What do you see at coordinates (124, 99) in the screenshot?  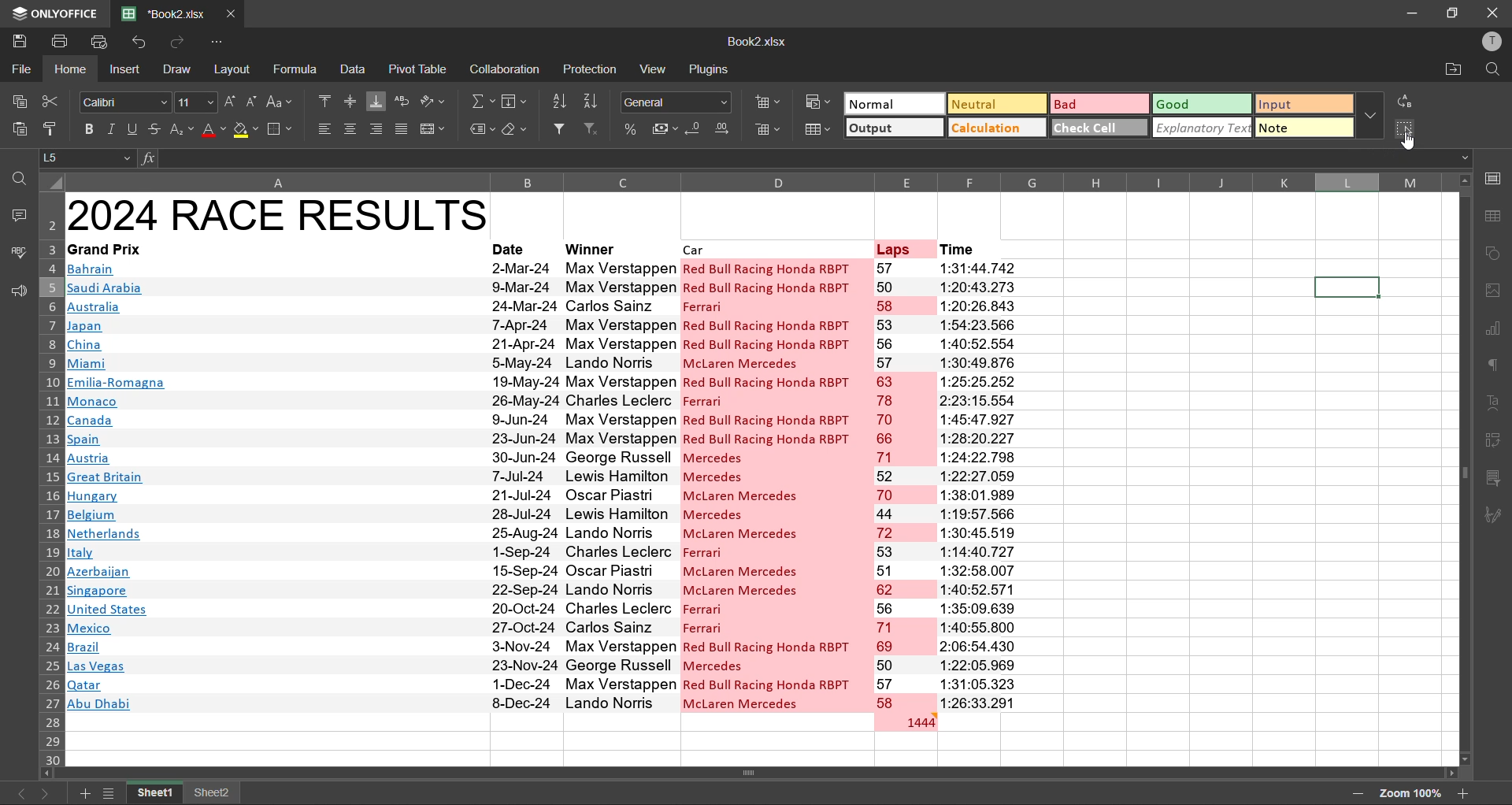 I see `font style` at bounding box center [124, 99].